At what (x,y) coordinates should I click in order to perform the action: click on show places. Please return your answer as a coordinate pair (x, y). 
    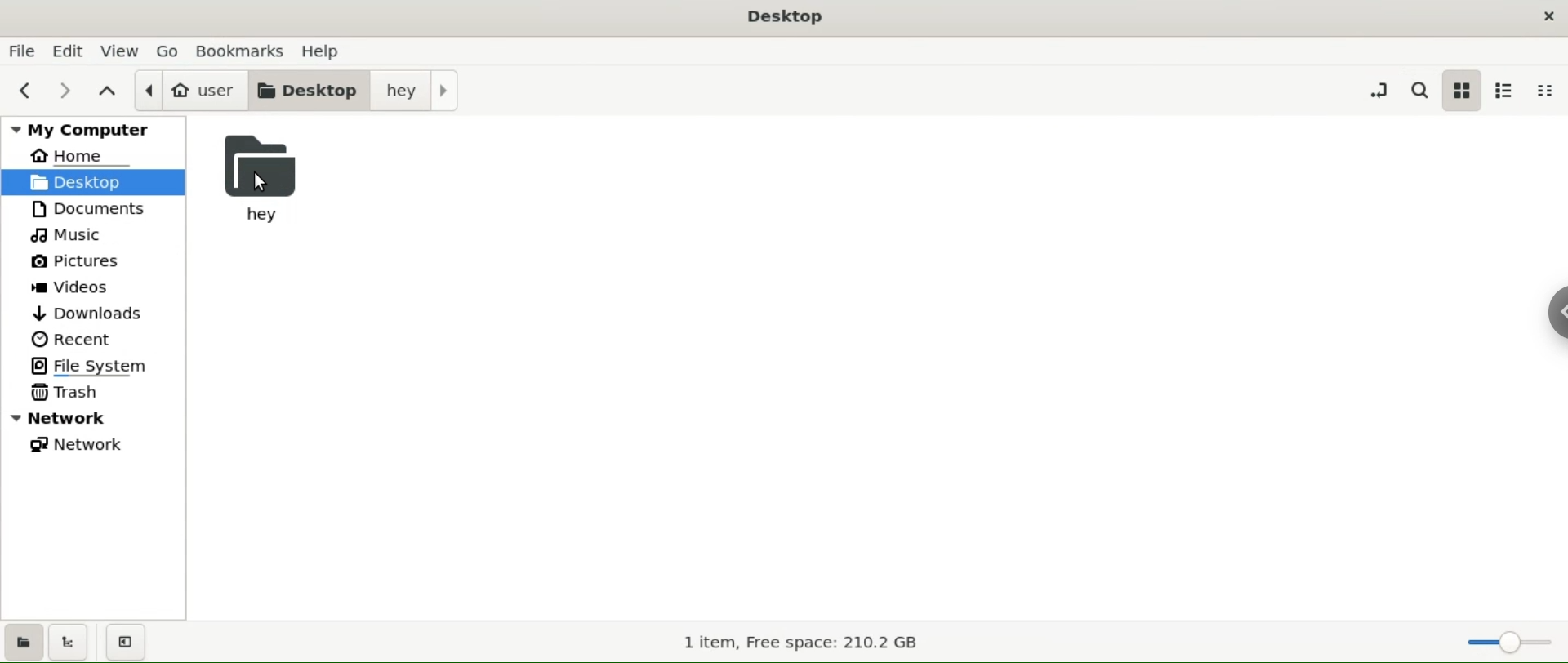
    Looking at the image, I should click on (24, 645).